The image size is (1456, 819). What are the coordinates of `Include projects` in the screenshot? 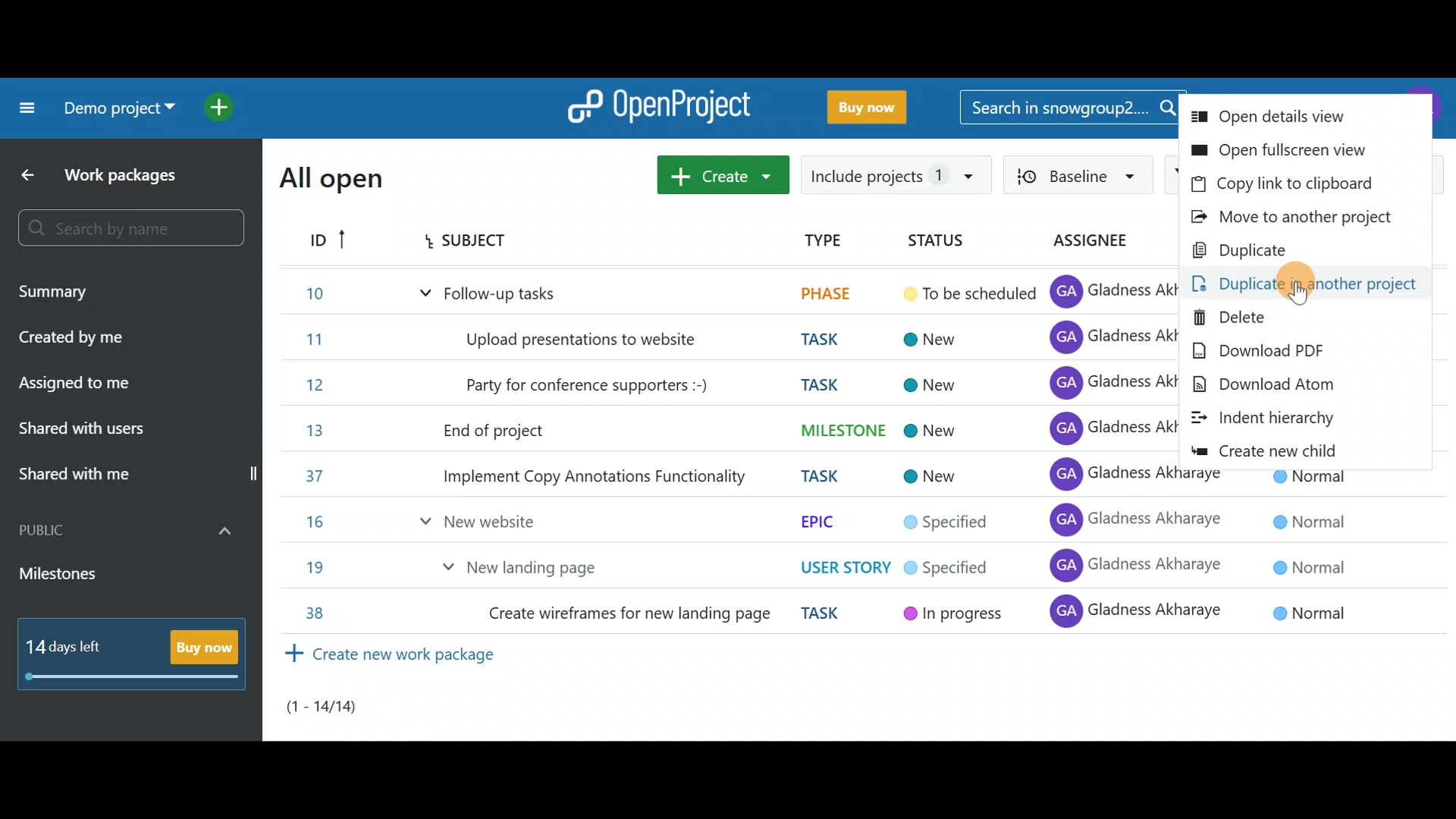 It's located at (893, 175).